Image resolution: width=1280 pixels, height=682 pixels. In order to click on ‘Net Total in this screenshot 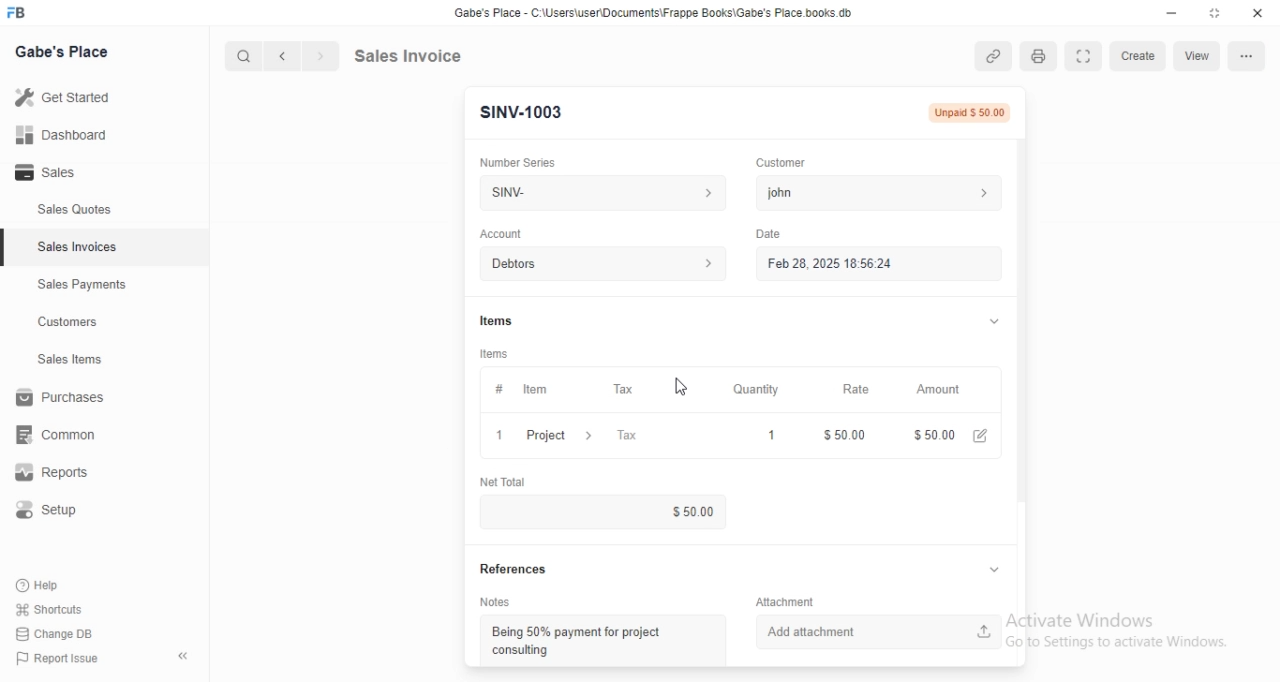, I will do `click(504, 481)`.